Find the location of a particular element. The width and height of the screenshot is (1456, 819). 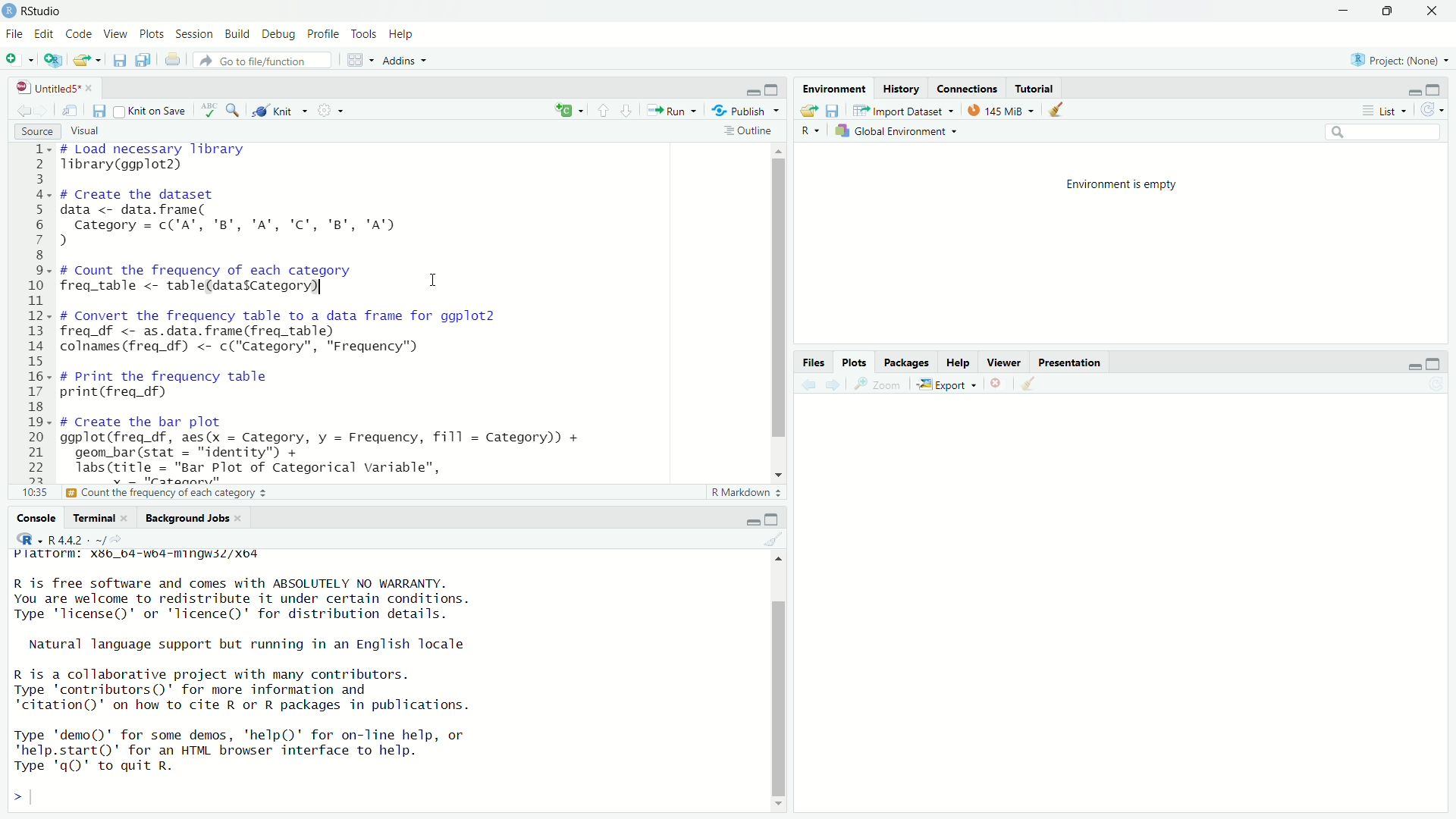

next is located at coordinates (838, 385).